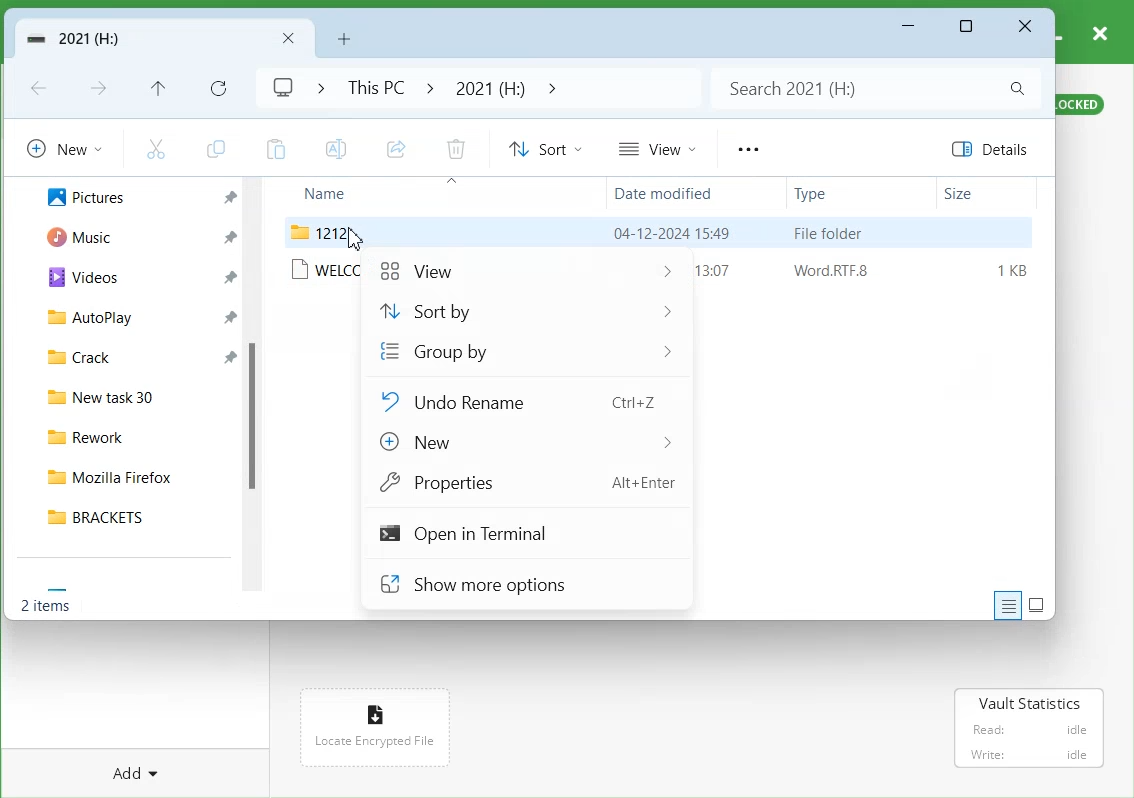  Describe the element at coordinates (545, 148) in the screenshot. I see `Sort` at that location.